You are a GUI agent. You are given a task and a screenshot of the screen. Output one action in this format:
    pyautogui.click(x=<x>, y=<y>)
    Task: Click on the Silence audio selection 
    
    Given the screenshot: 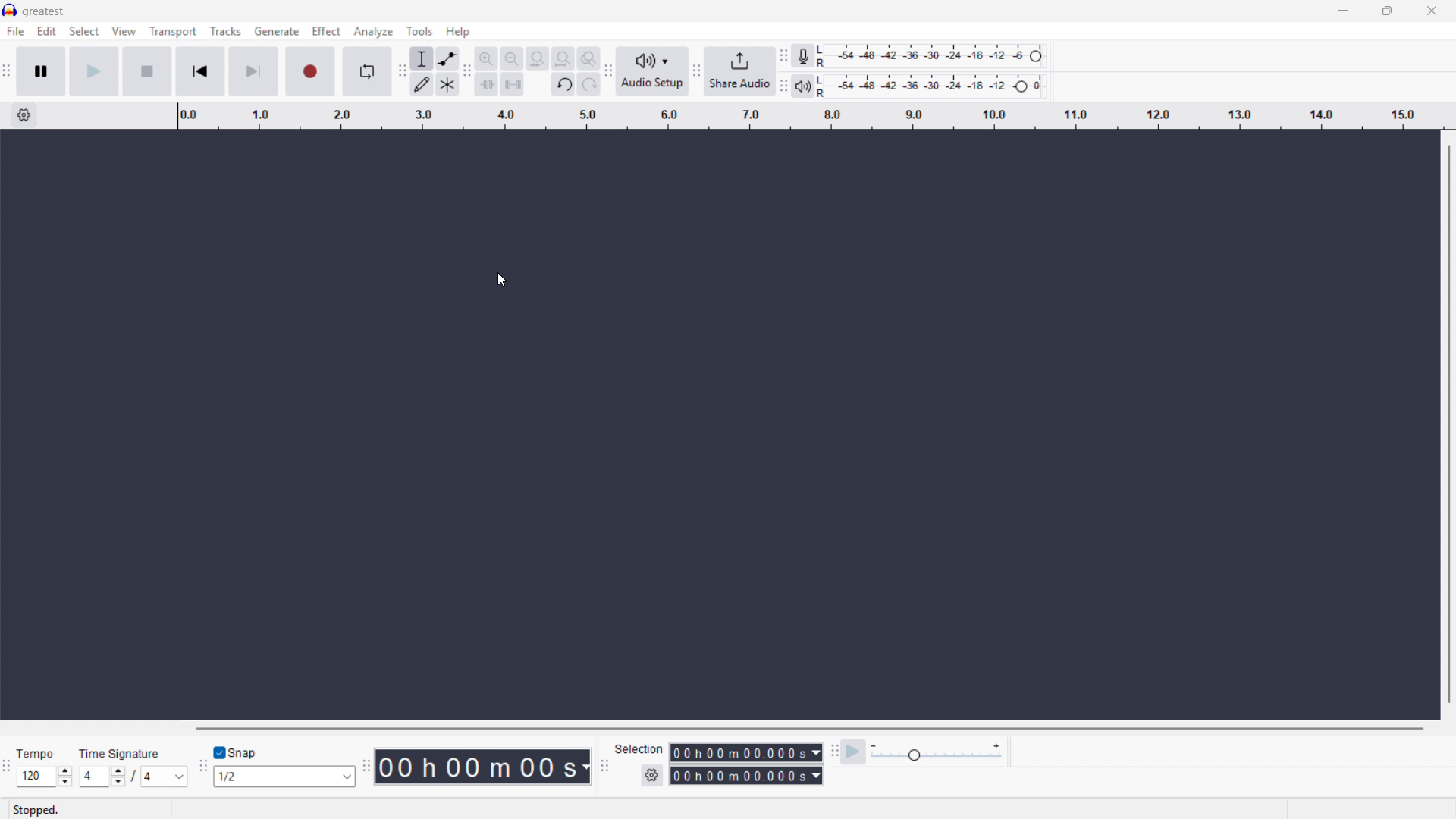 What is the action you would take?
    pyautogui.click(x=512, y=84)
    